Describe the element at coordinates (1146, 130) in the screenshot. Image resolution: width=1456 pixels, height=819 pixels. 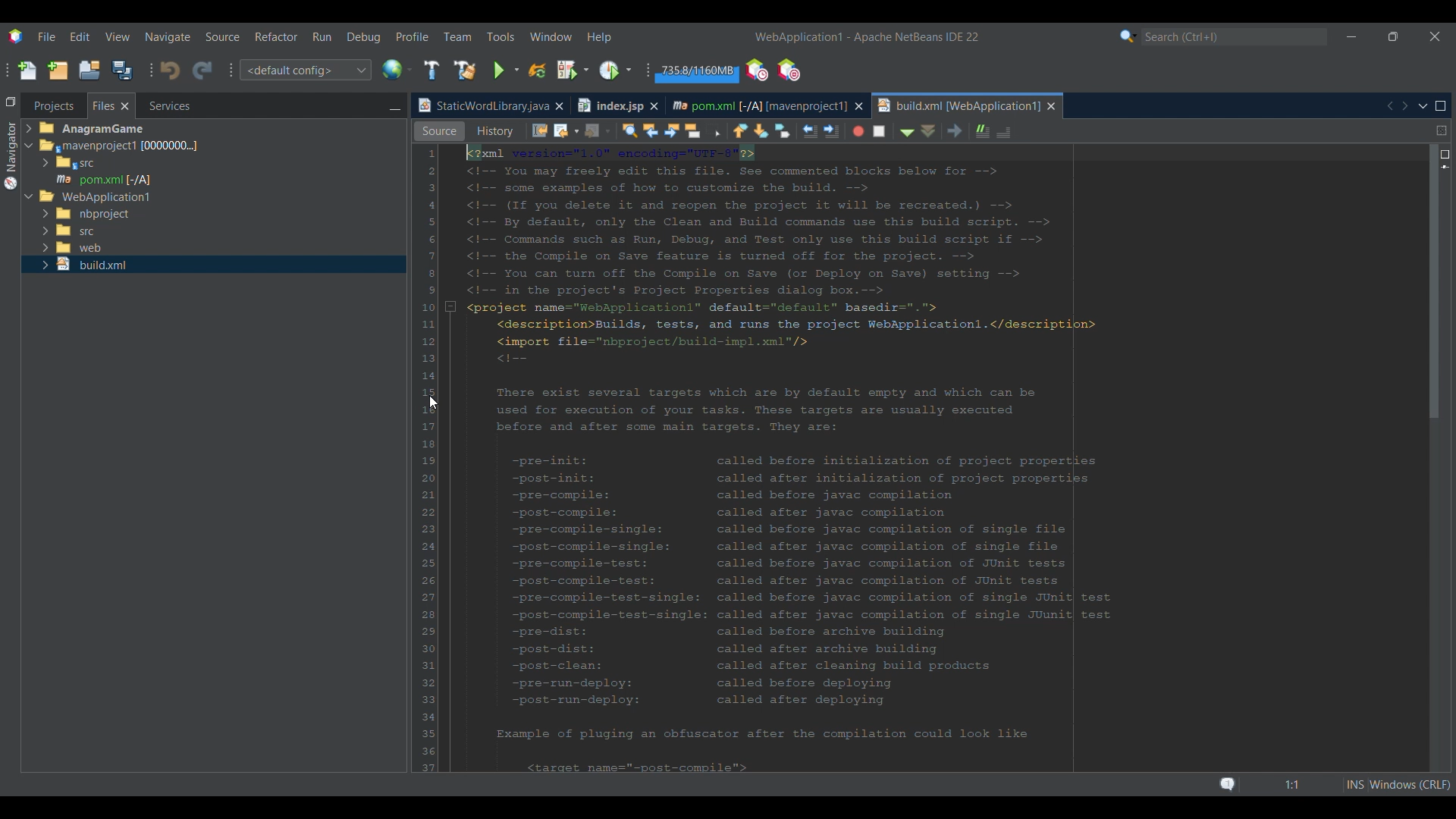
I see `Uncomment` at that location.